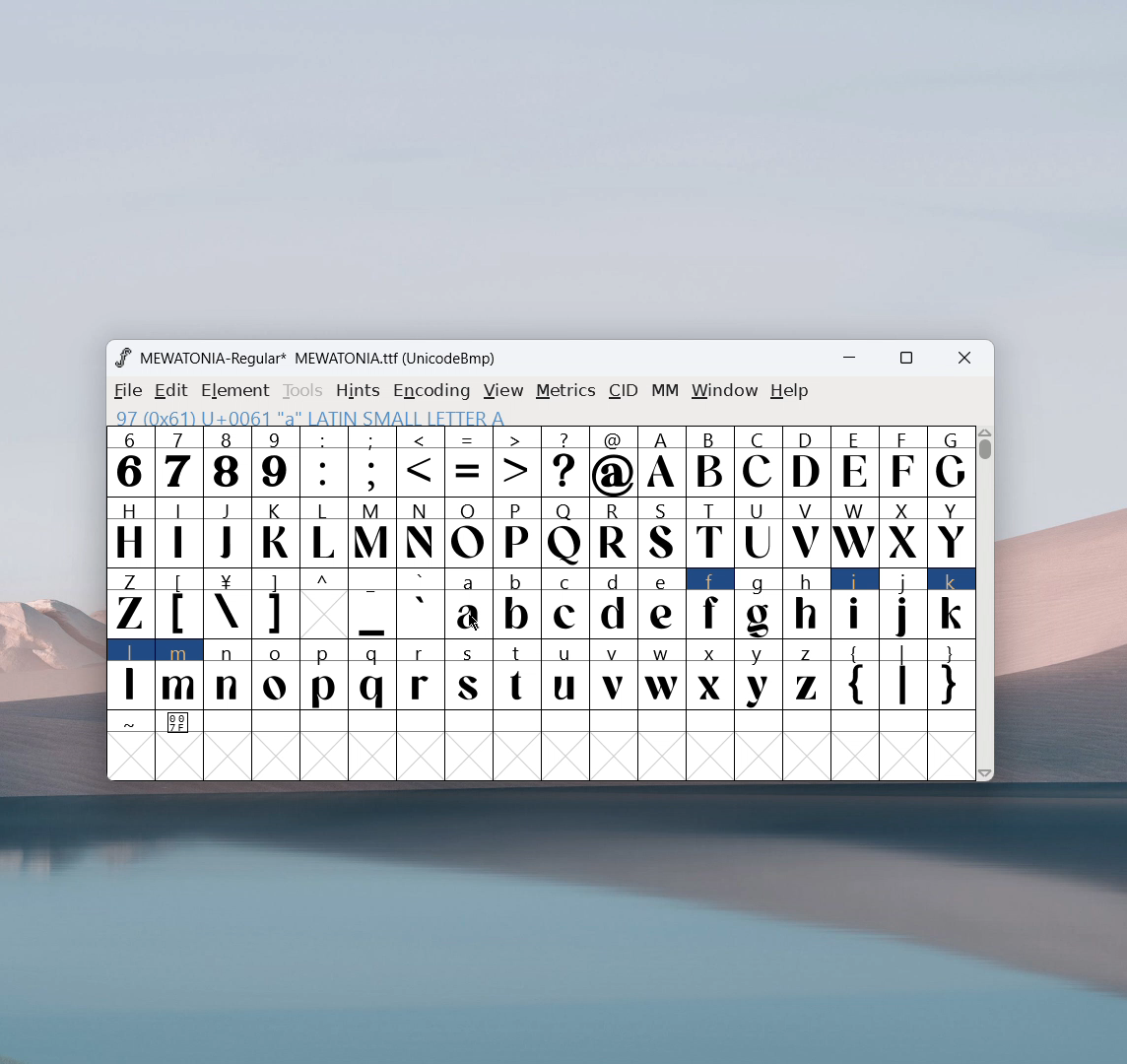 The height and width of the screenshot is (1064, 1127). What do you see at coordinates (564, 675) in the screenshot?
I see `u` at bounding box center [564, 675].